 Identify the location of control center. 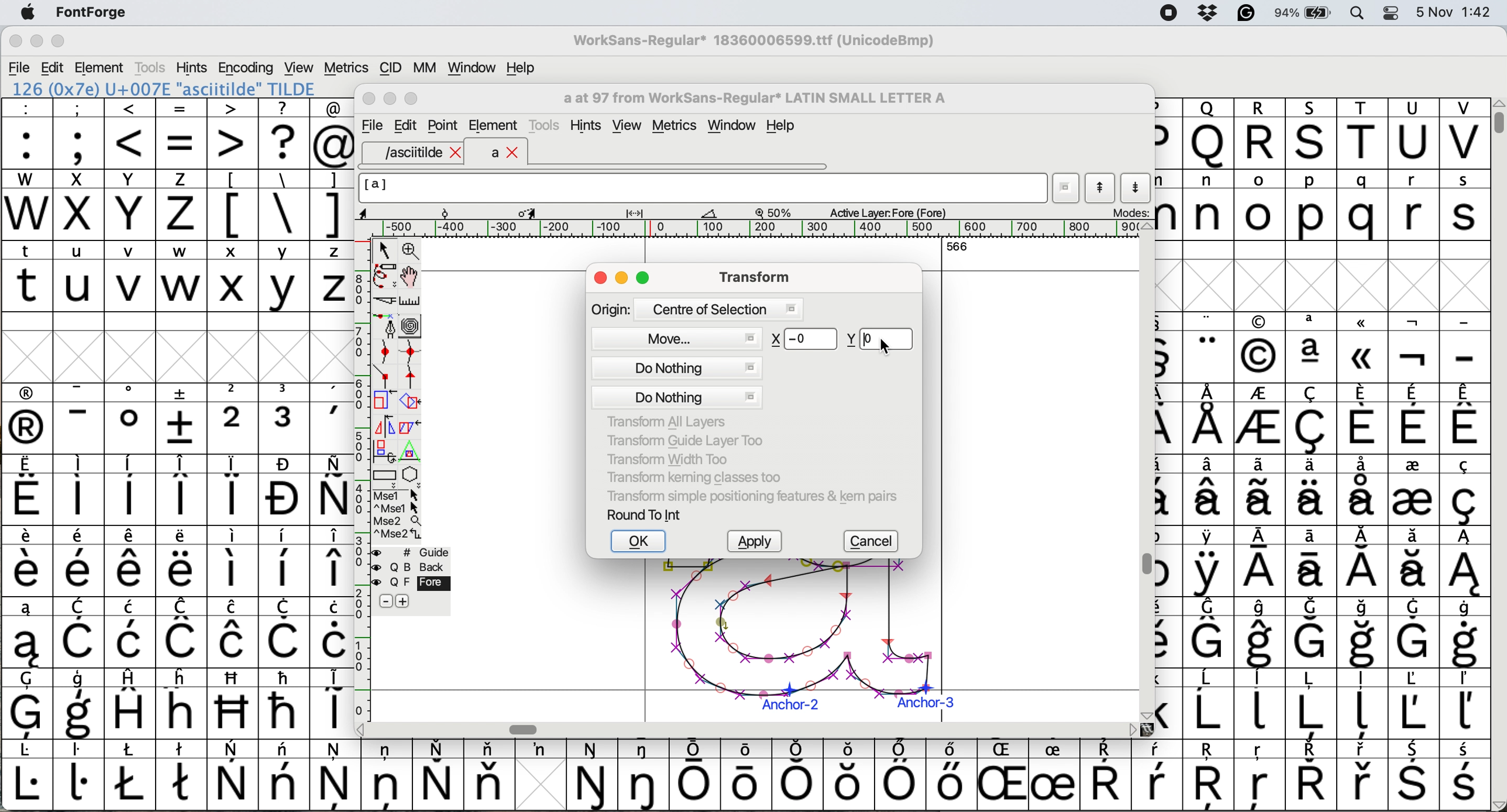
(1395, 12).